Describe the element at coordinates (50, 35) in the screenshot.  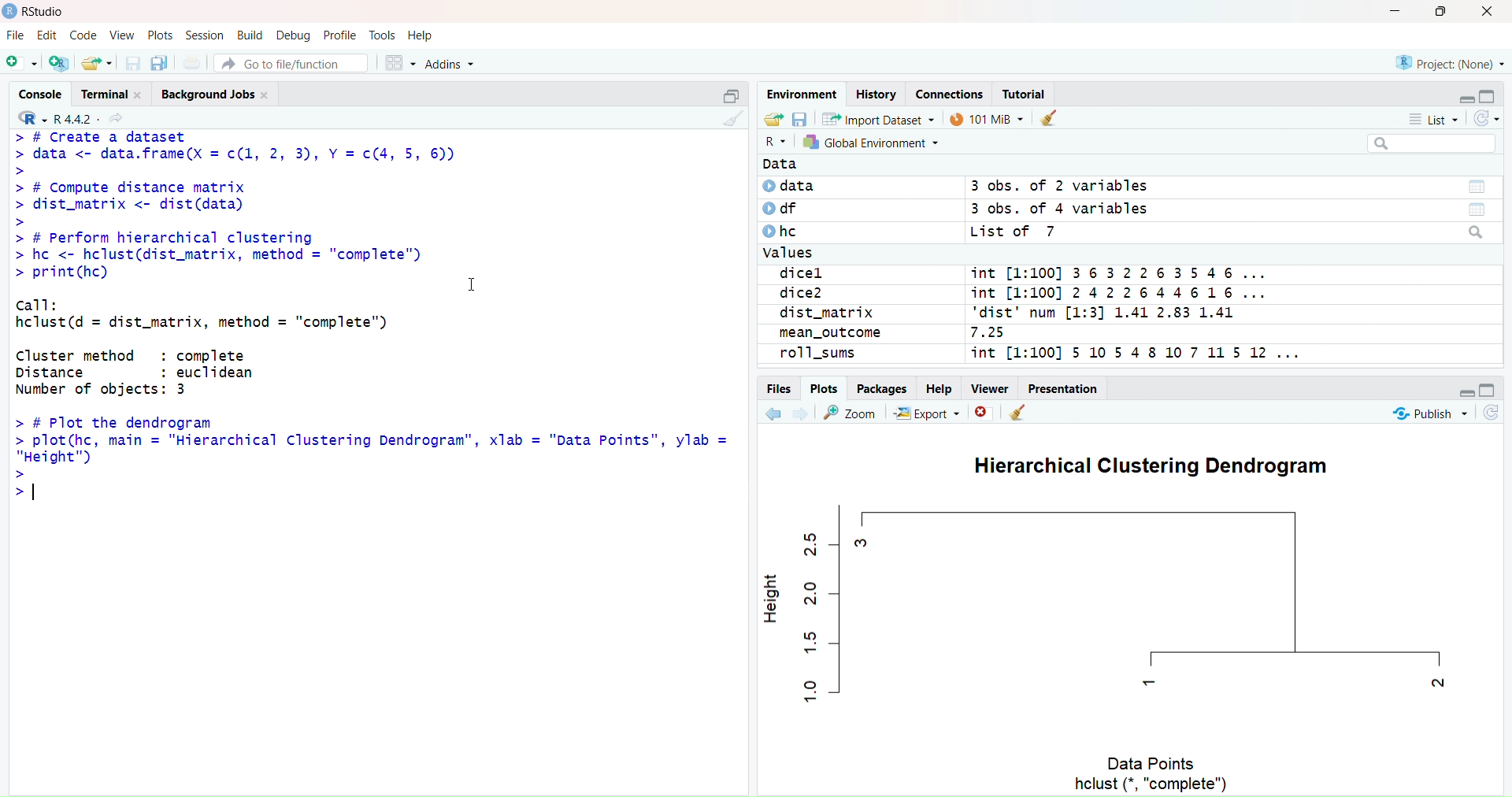
I see `Edit` at that location.